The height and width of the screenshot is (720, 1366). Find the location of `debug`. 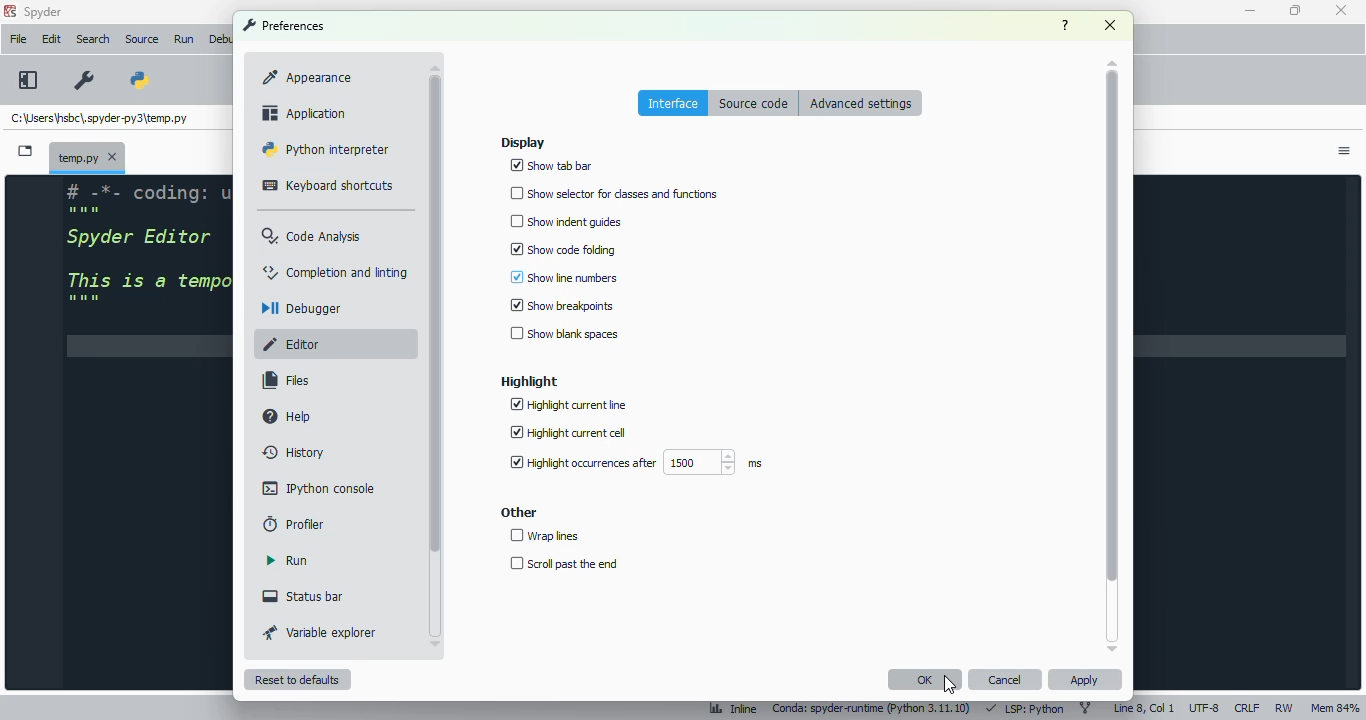

debug is located at coordinates (221, 39).